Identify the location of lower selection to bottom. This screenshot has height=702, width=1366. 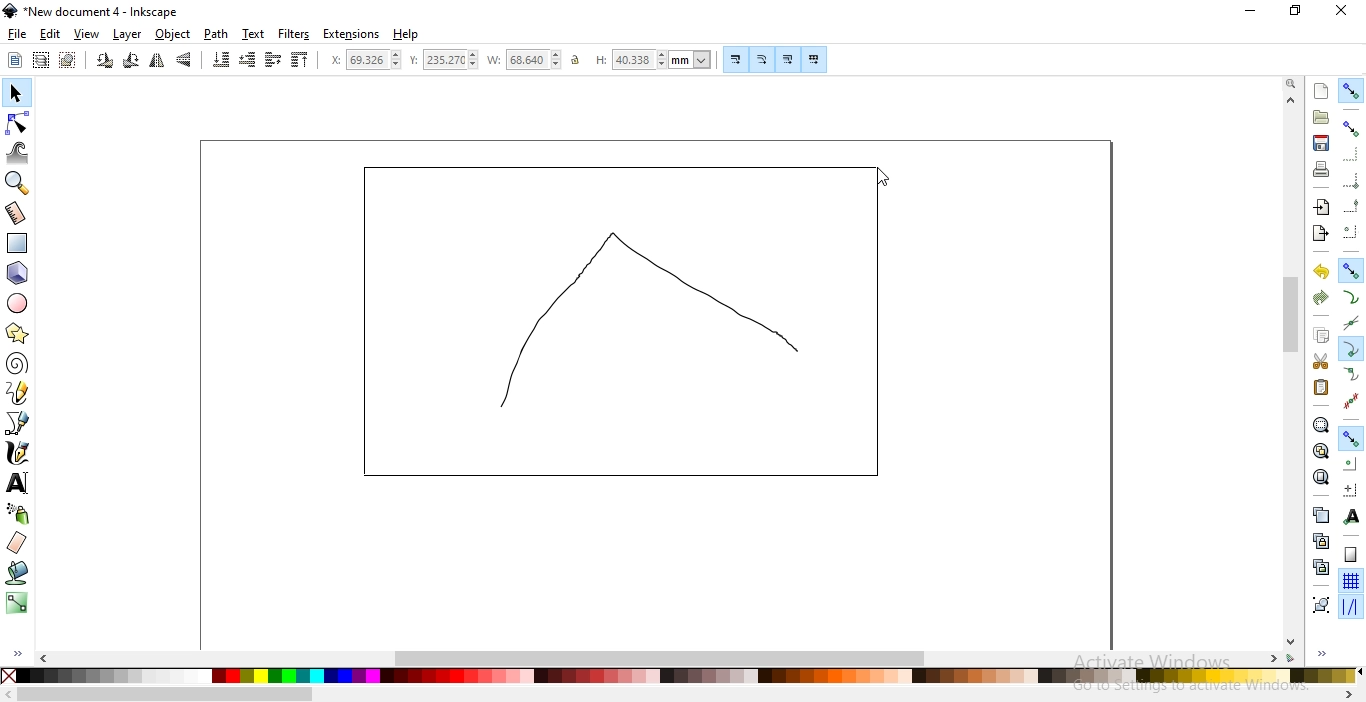
(220, 59).